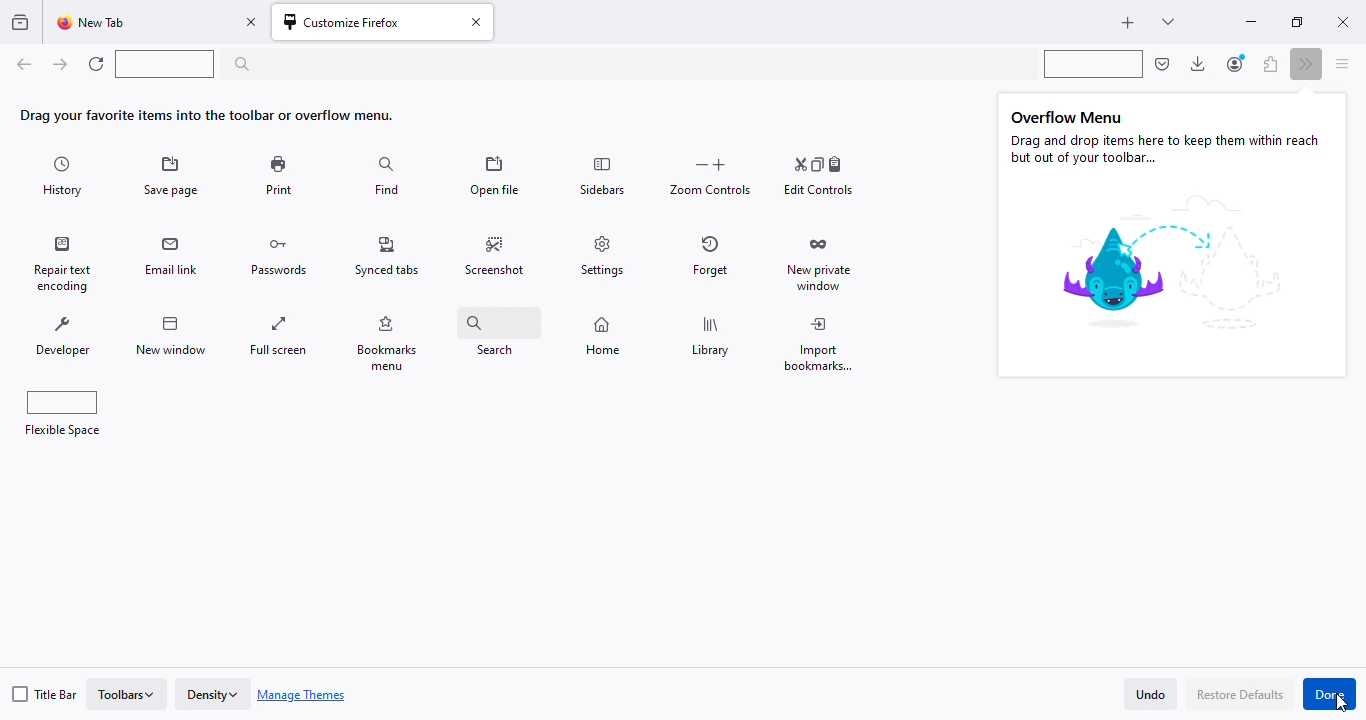  Describe the element at coordinates (1341, 703) in the screenshot. I see `cursor` at that location.